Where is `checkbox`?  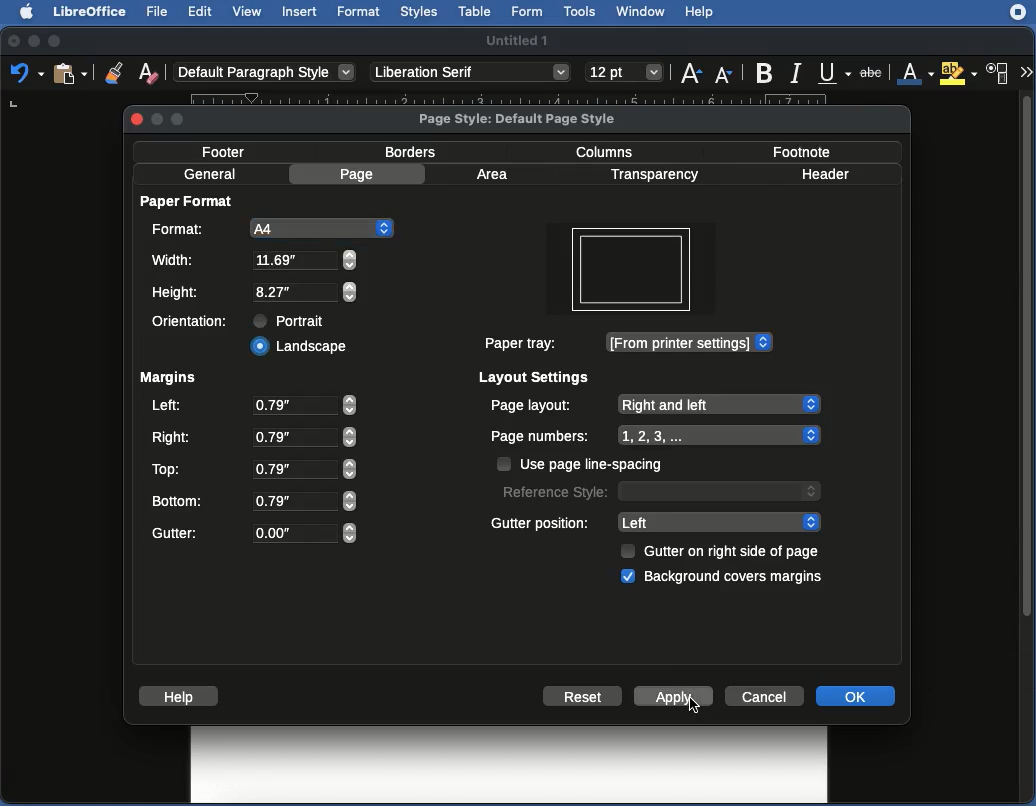 checkbox is located at coordinates (503, 463).